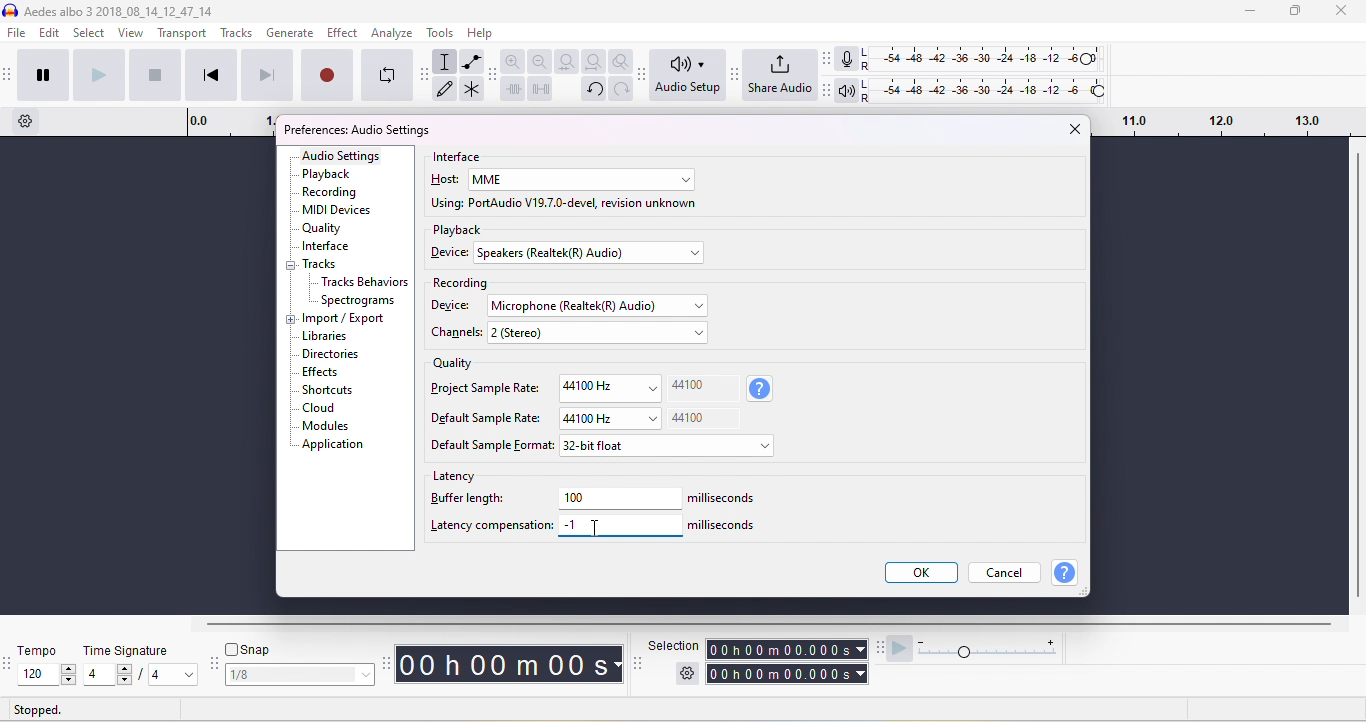  What do you see at coordinates (611, 418) in the screenshot?
I see `44100 Hz` at bounding box center [611, 418].